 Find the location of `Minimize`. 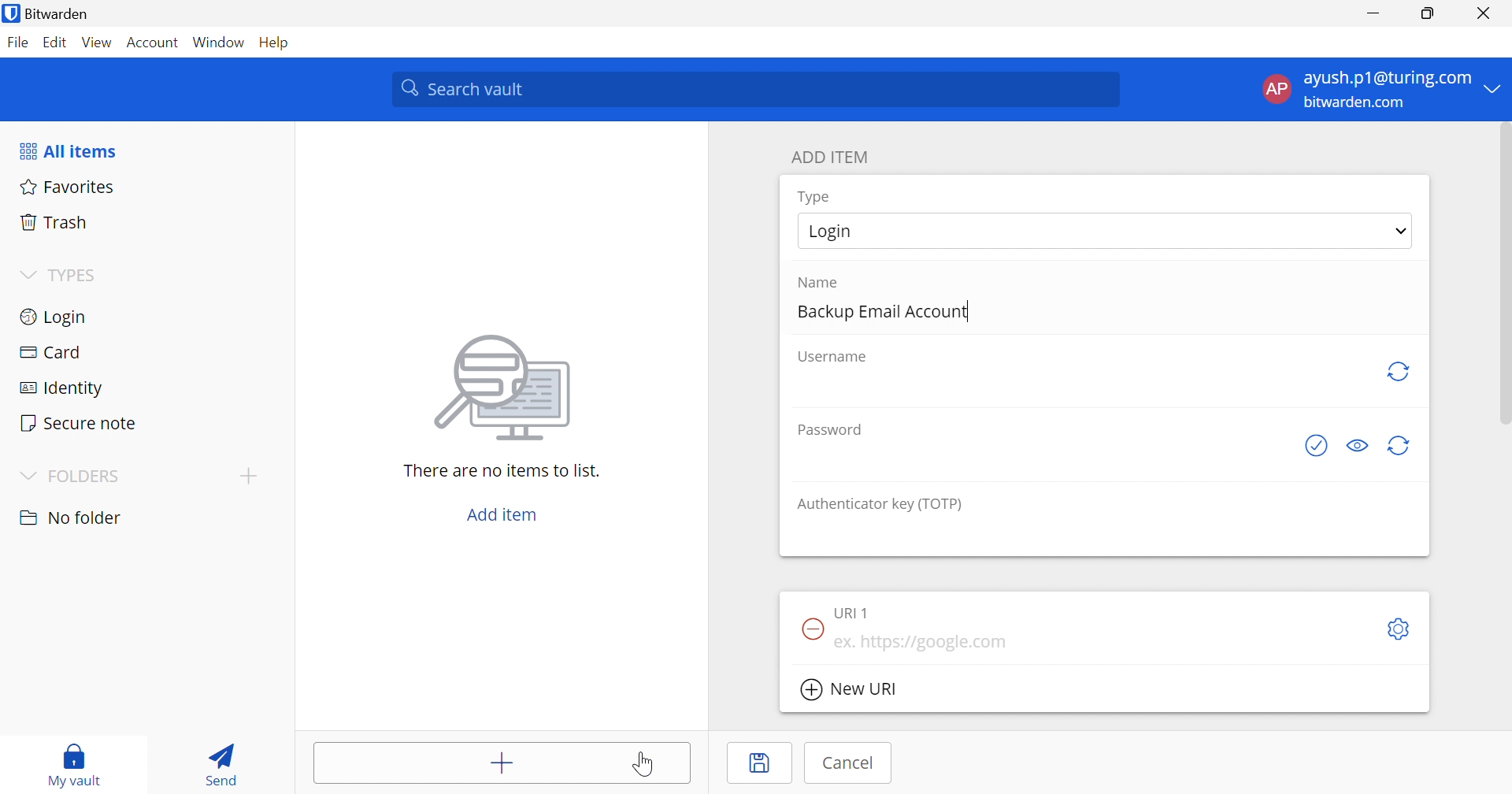

Minimize is located at coordinates (1373, 13).